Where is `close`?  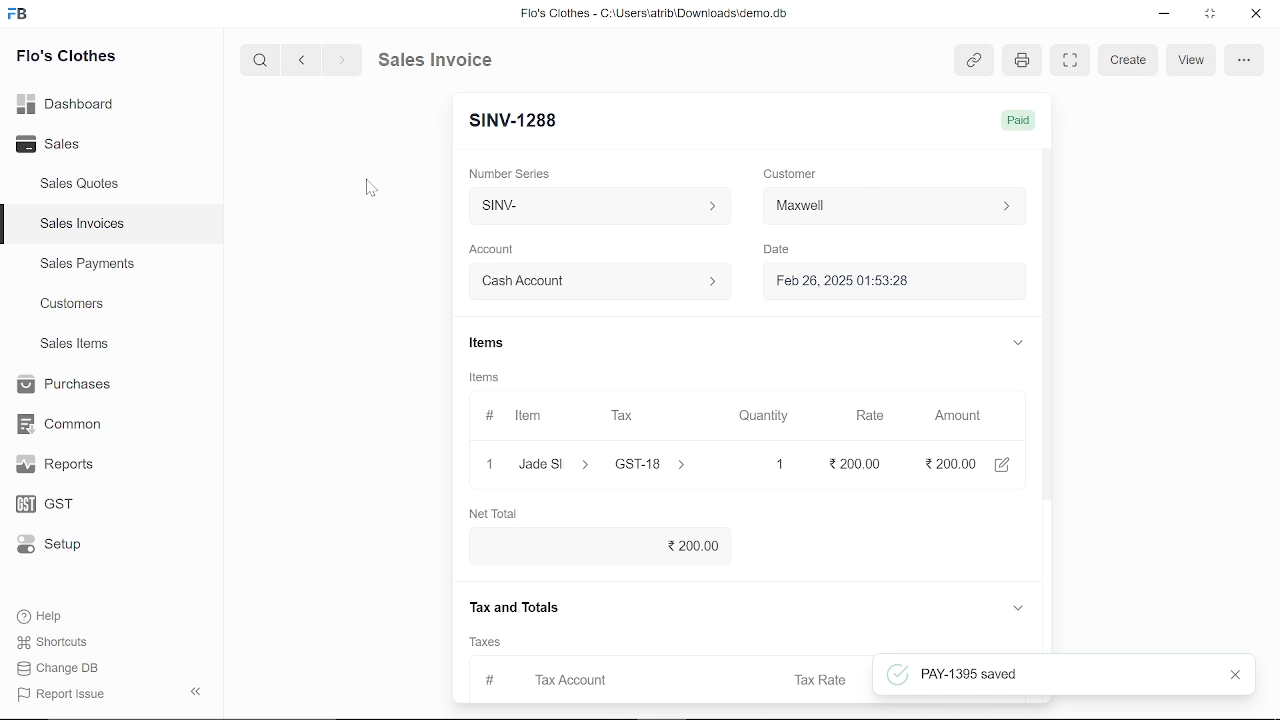
close is located at coordinates (1231, 676).